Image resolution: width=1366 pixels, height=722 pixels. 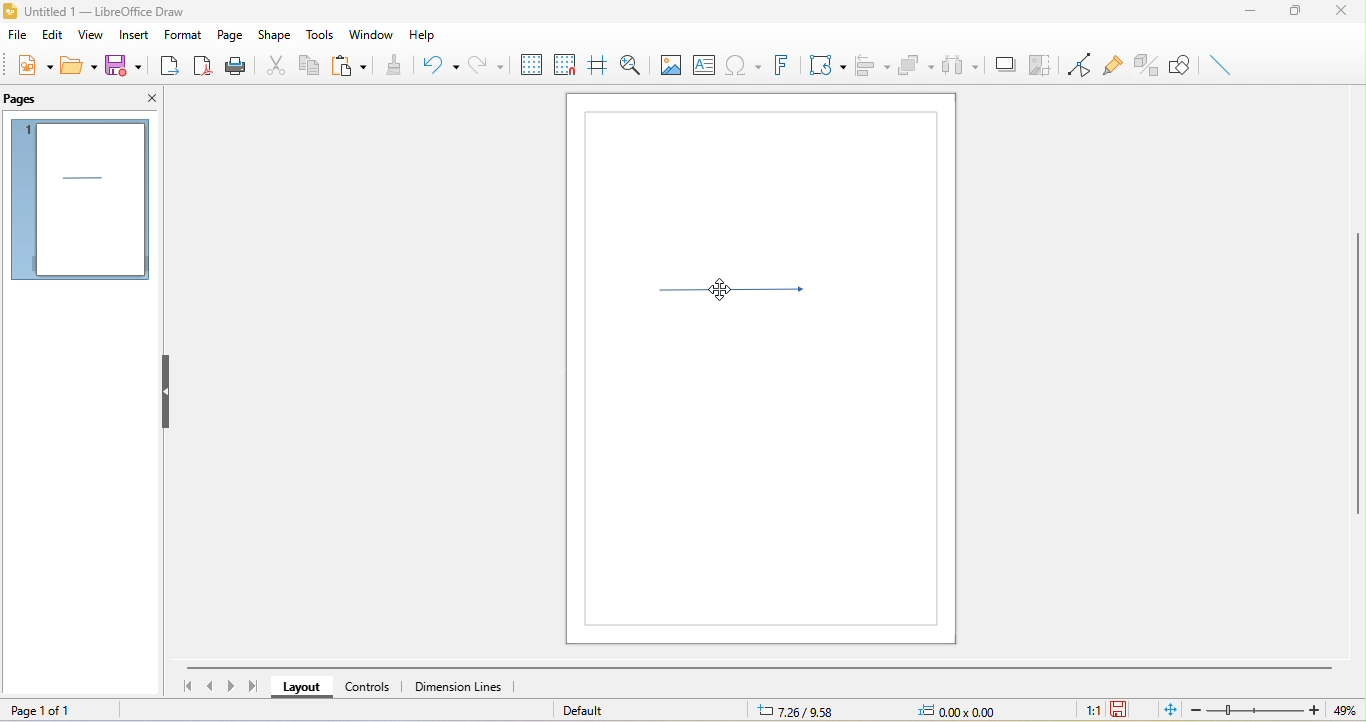 I want to click on toggle point edit mode, so click(x=1074, y=62).